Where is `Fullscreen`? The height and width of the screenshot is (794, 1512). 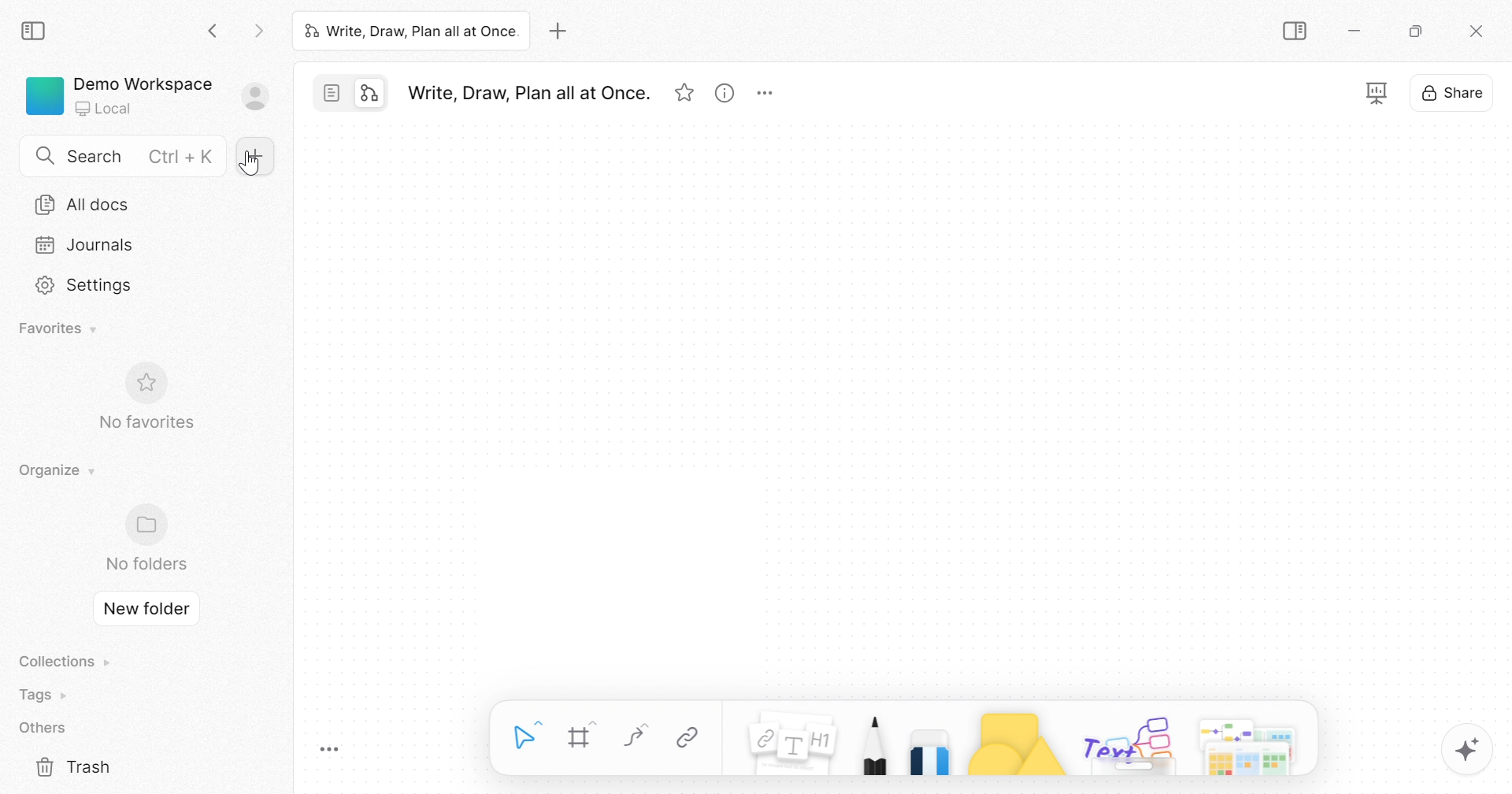
Fullscreen is located at coordinates (1376, 92).